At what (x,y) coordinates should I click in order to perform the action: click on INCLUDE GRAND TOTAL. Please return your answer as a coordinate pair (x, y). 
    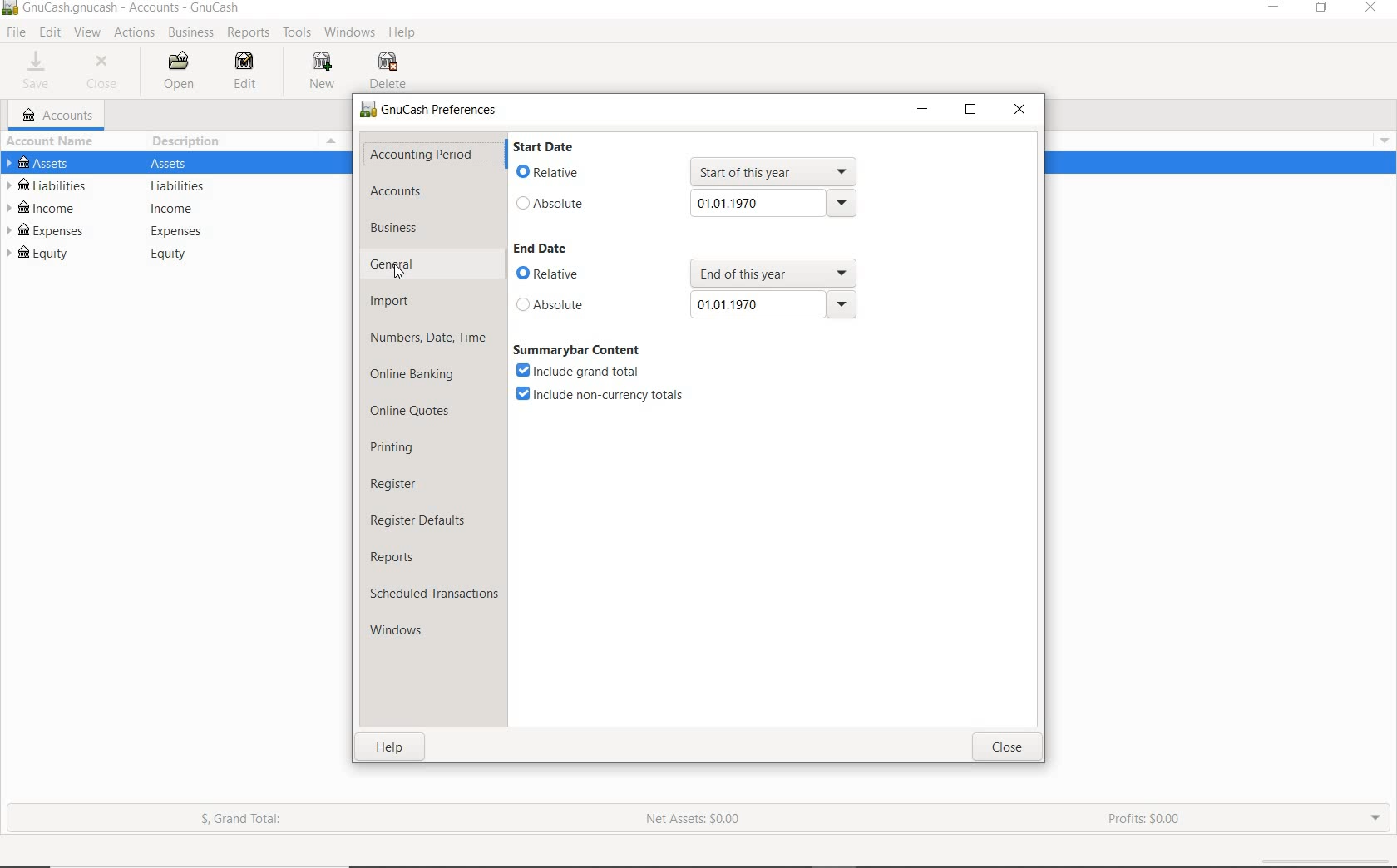
    Looking at the image, I should click on (578, 370).